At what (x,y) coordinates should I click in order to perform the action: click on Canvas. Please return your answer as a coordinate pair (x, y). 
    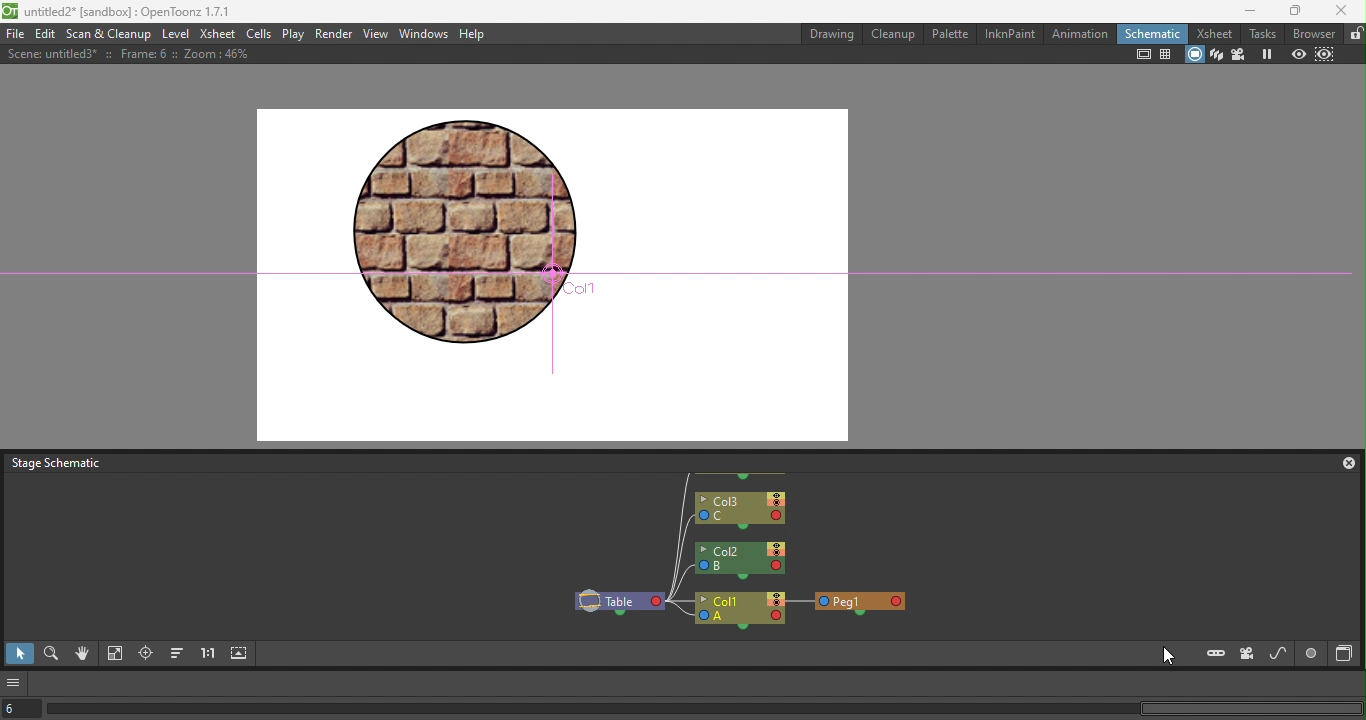
    Looking at the image, I should click on (558, 272).